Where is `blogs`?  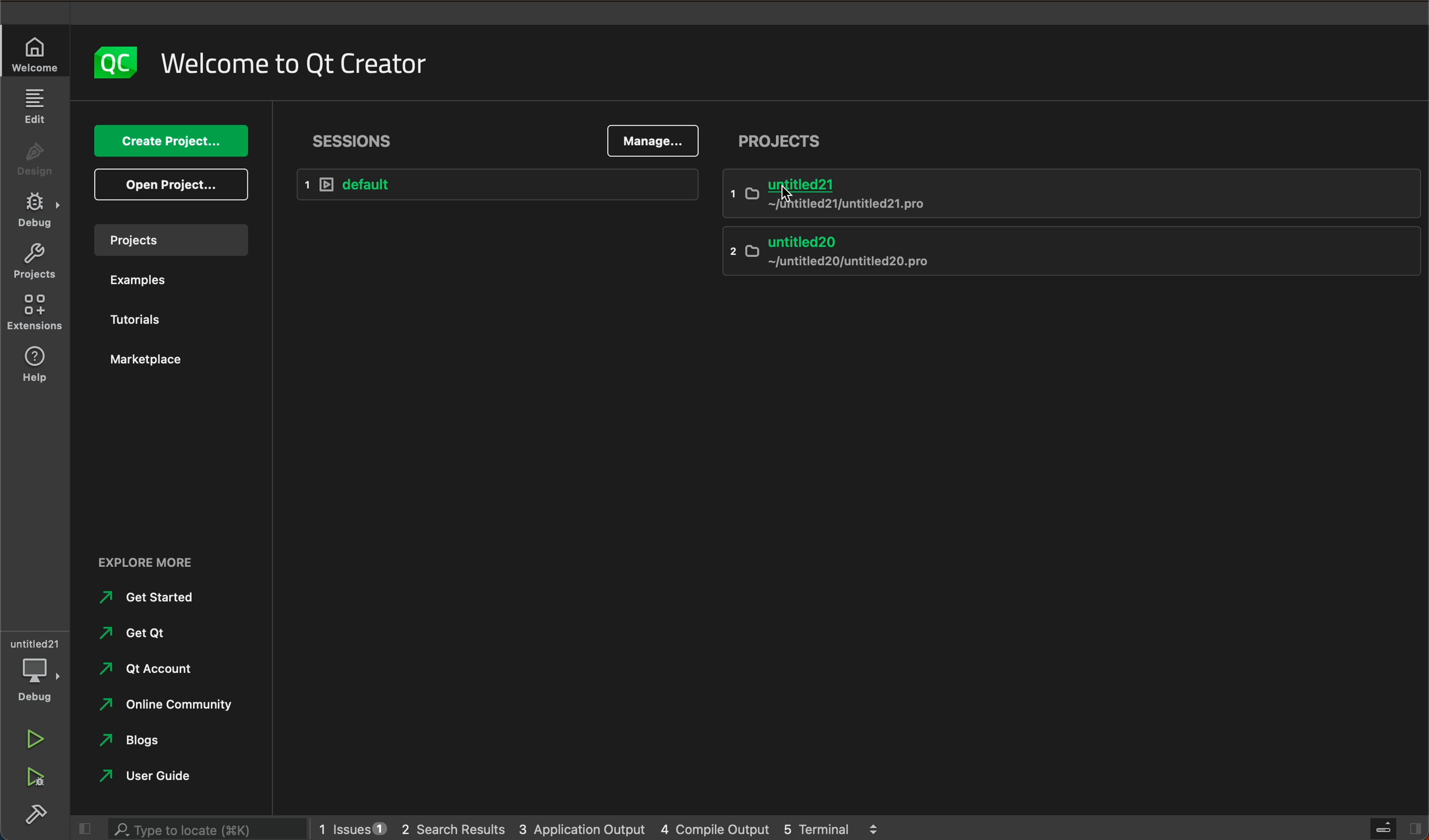 blogs is located at coordinates (138, 741).